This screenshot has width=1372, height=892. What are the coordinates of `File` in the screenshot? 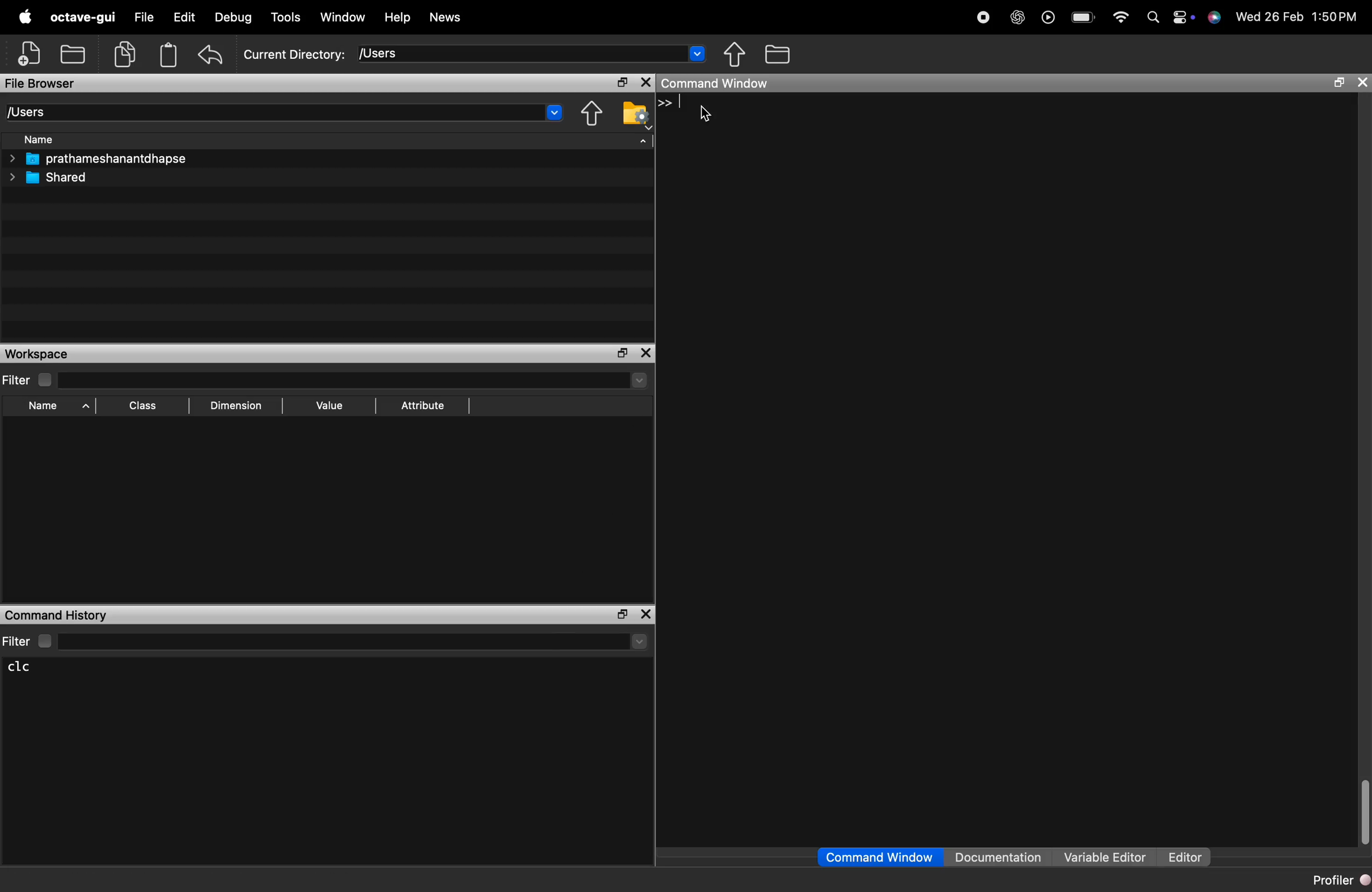 It's located at (144, 17).